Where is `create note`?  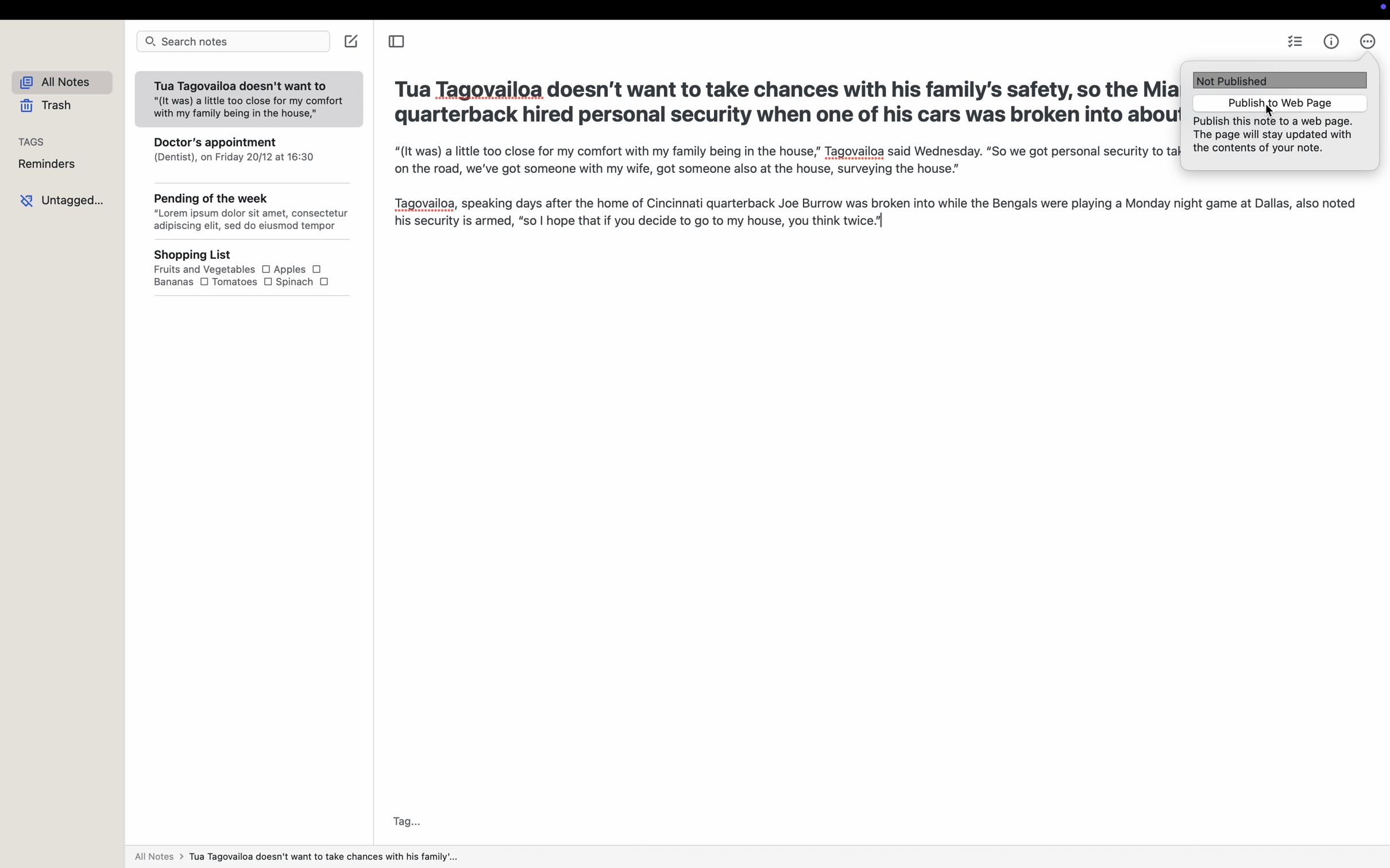
create note is located at coordinates (353, 41).